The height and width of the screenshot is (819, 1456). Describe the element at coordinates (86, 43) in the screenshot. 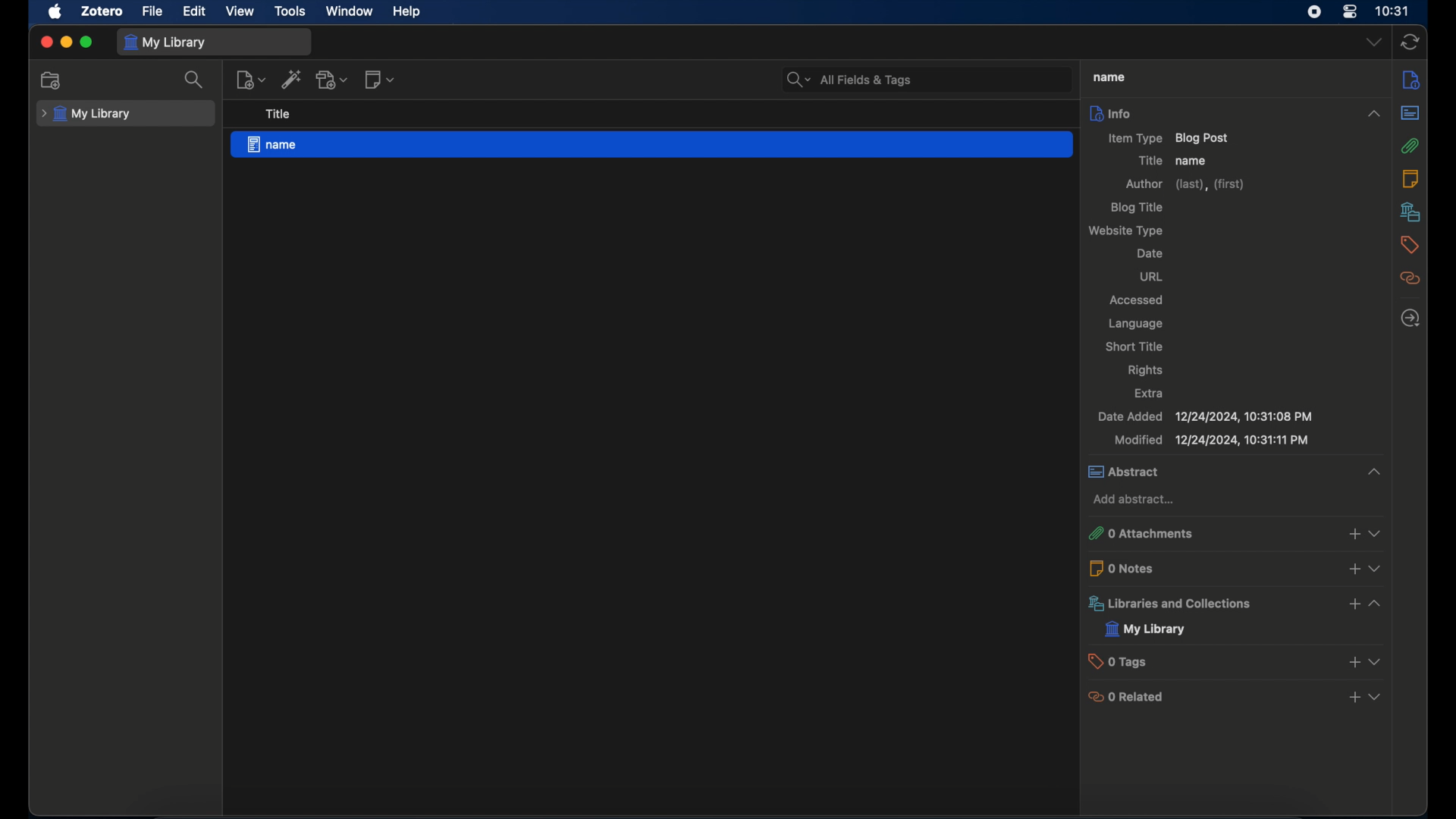

I see `maximize` at that location.